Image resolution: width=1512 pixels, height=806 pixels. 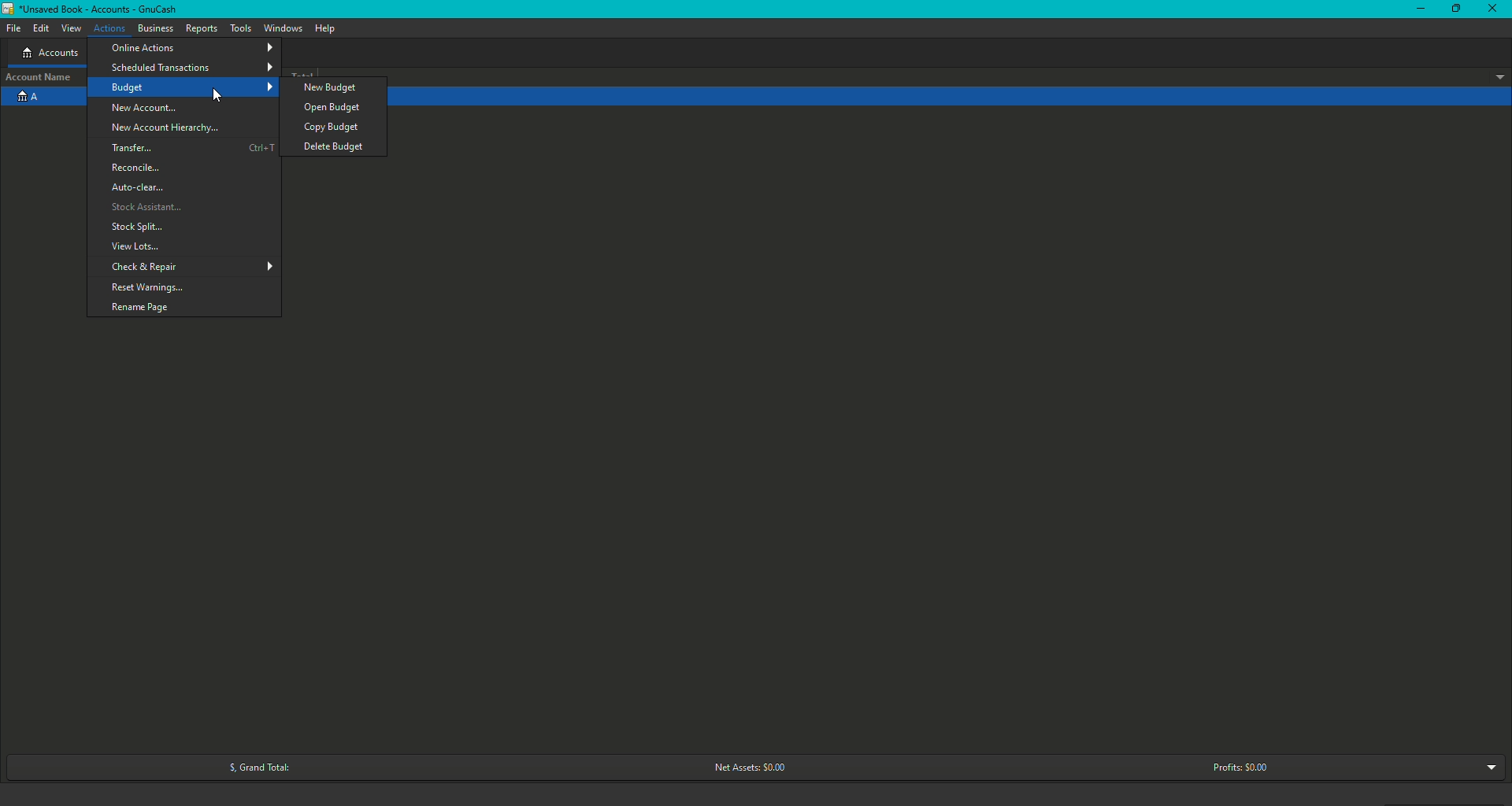 What do you see at coordinates (54, 77) in the screenshot?
I see `Account name` at bounding box center [54, 77].